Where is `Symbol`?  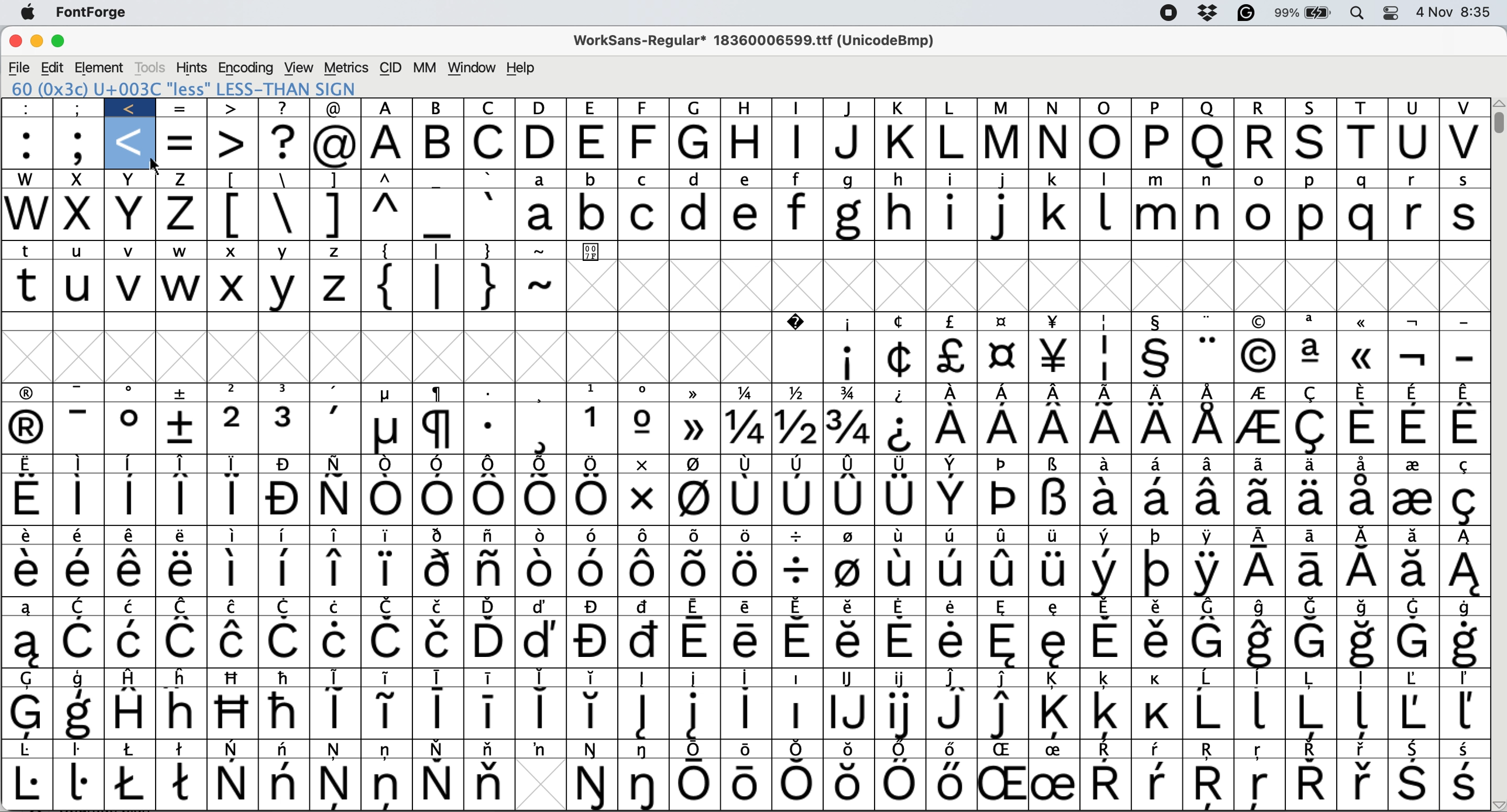
Symbol is located at coordinates (389, 392).